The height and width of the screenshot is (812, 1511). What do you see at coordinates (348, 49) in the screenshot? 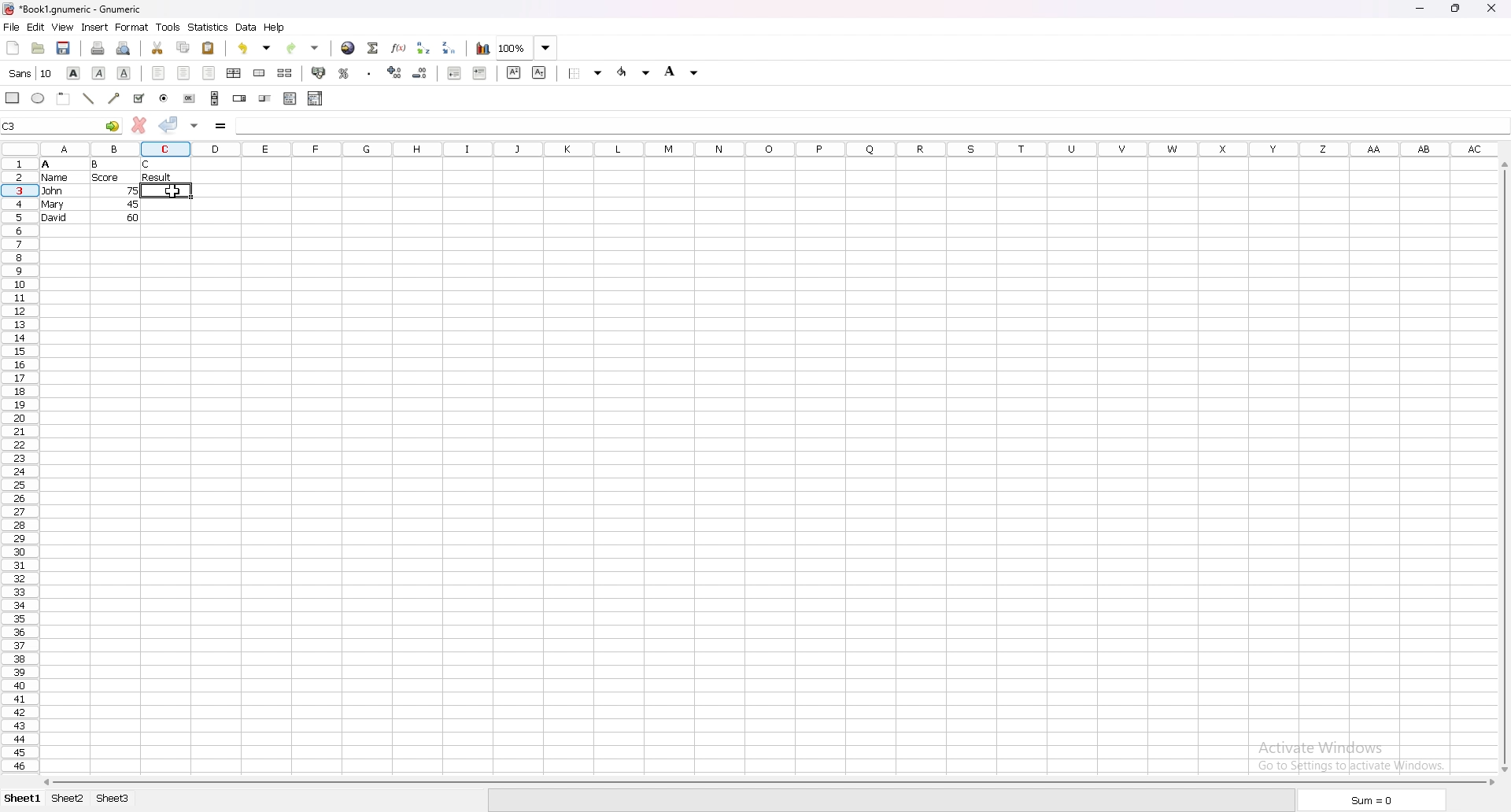
I see `hyperlink` at bounding box center [348, 49].